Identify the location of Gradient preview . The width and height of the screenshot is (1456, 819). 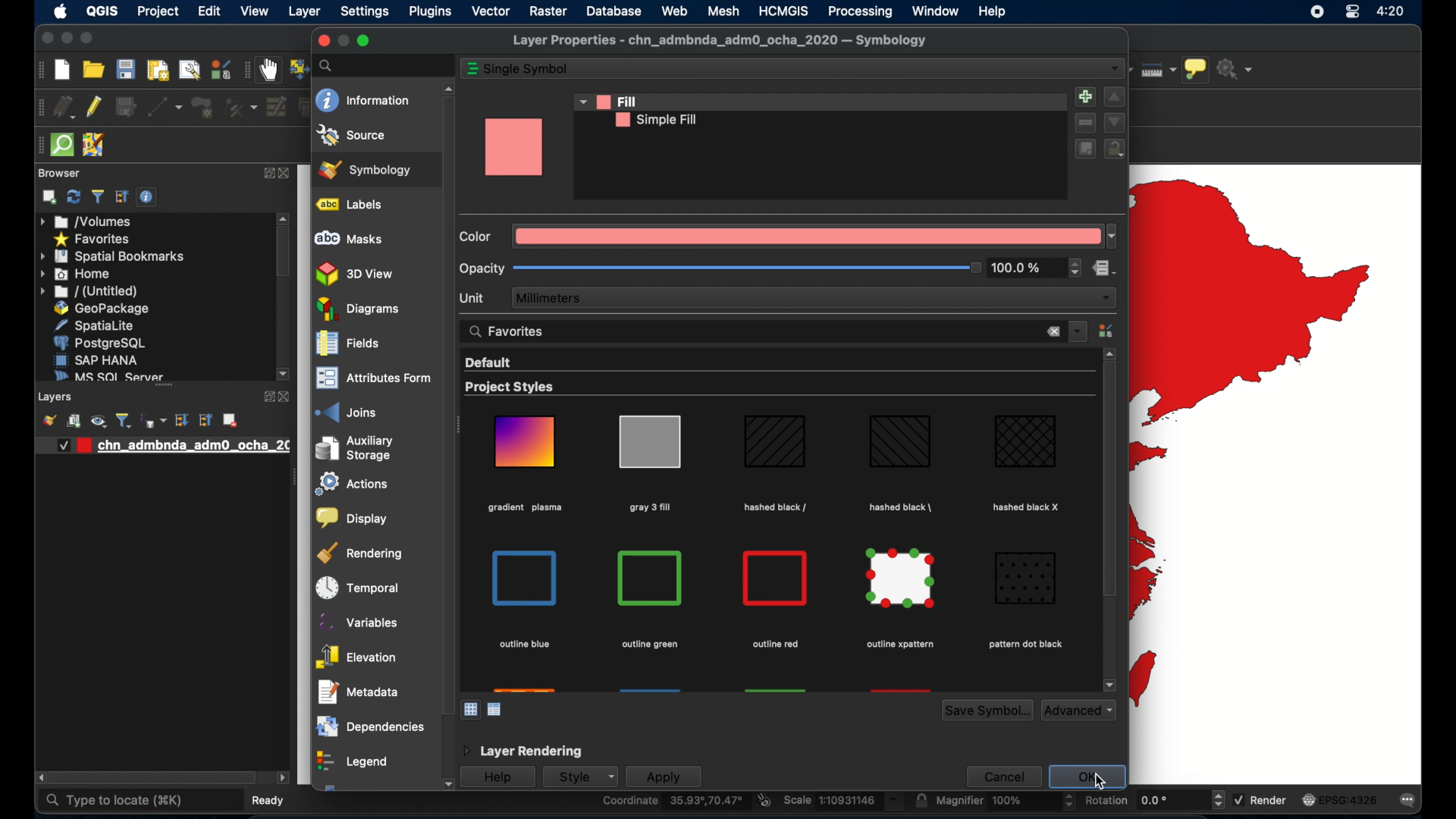
(899, 442).